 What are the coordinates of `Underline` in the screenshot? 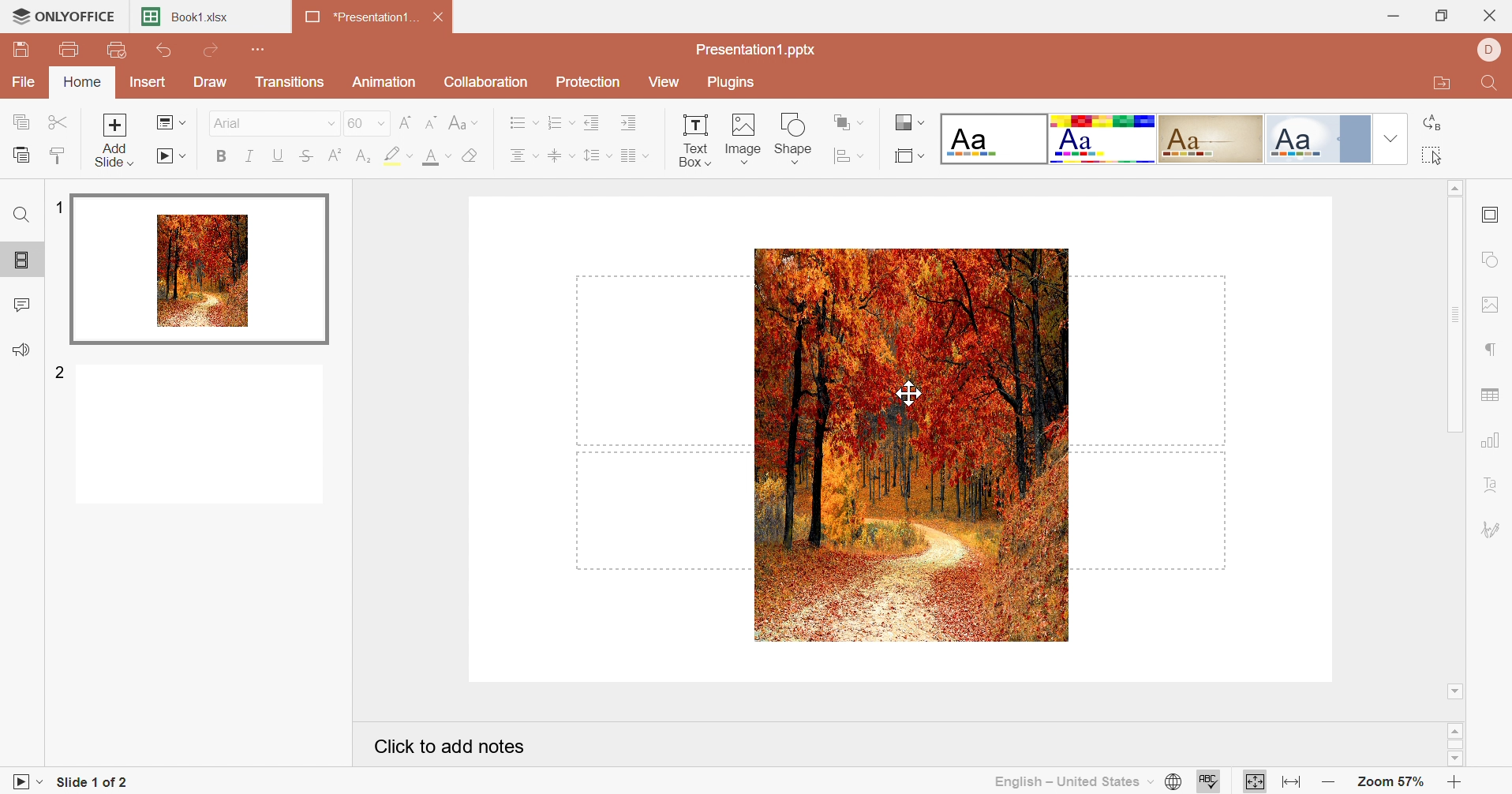 It's located at (276, 155).